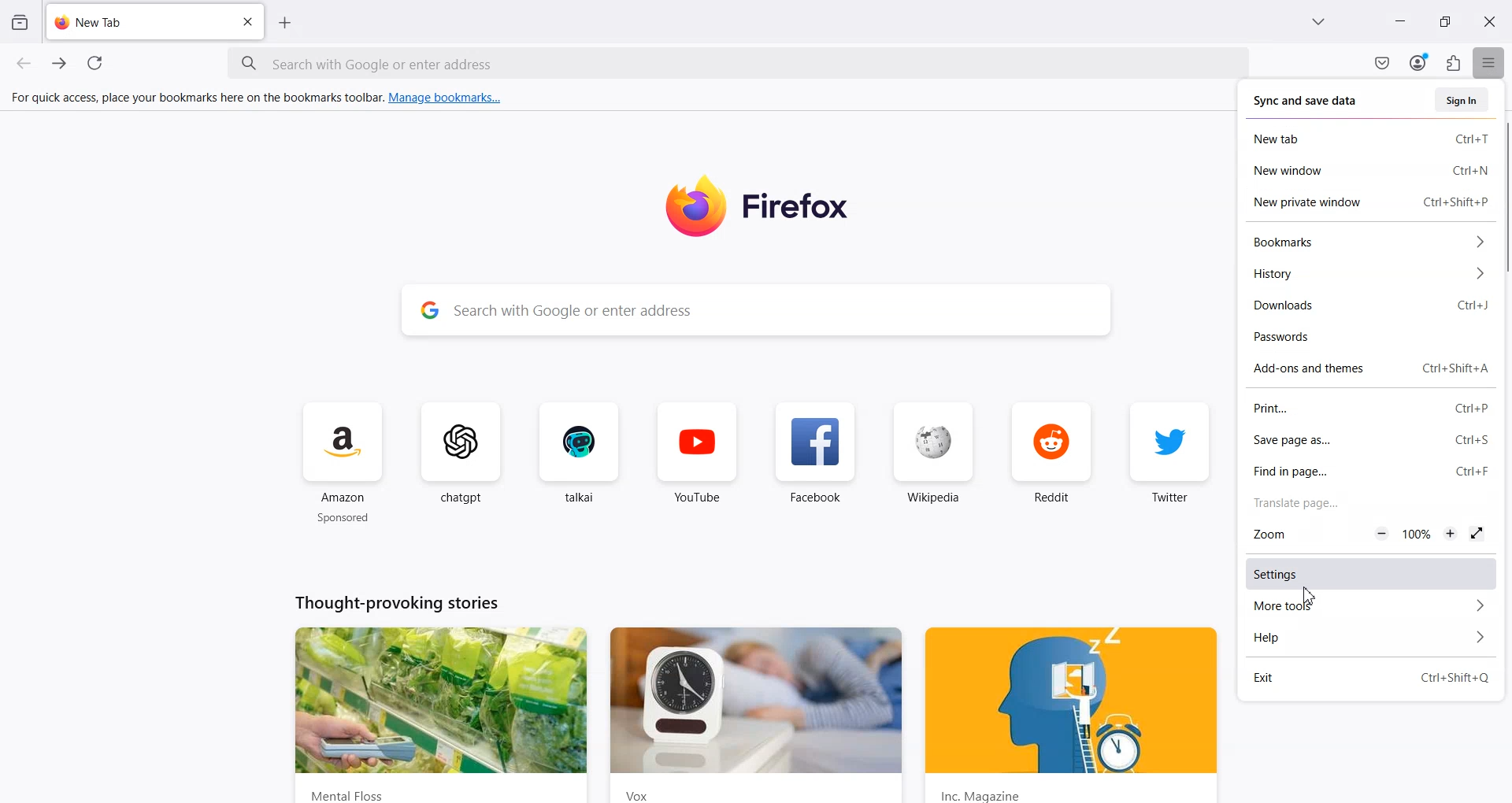  I want to click on y
) is
| fy 2x
EC)
Inc. Magazine, so click(1073, 713).